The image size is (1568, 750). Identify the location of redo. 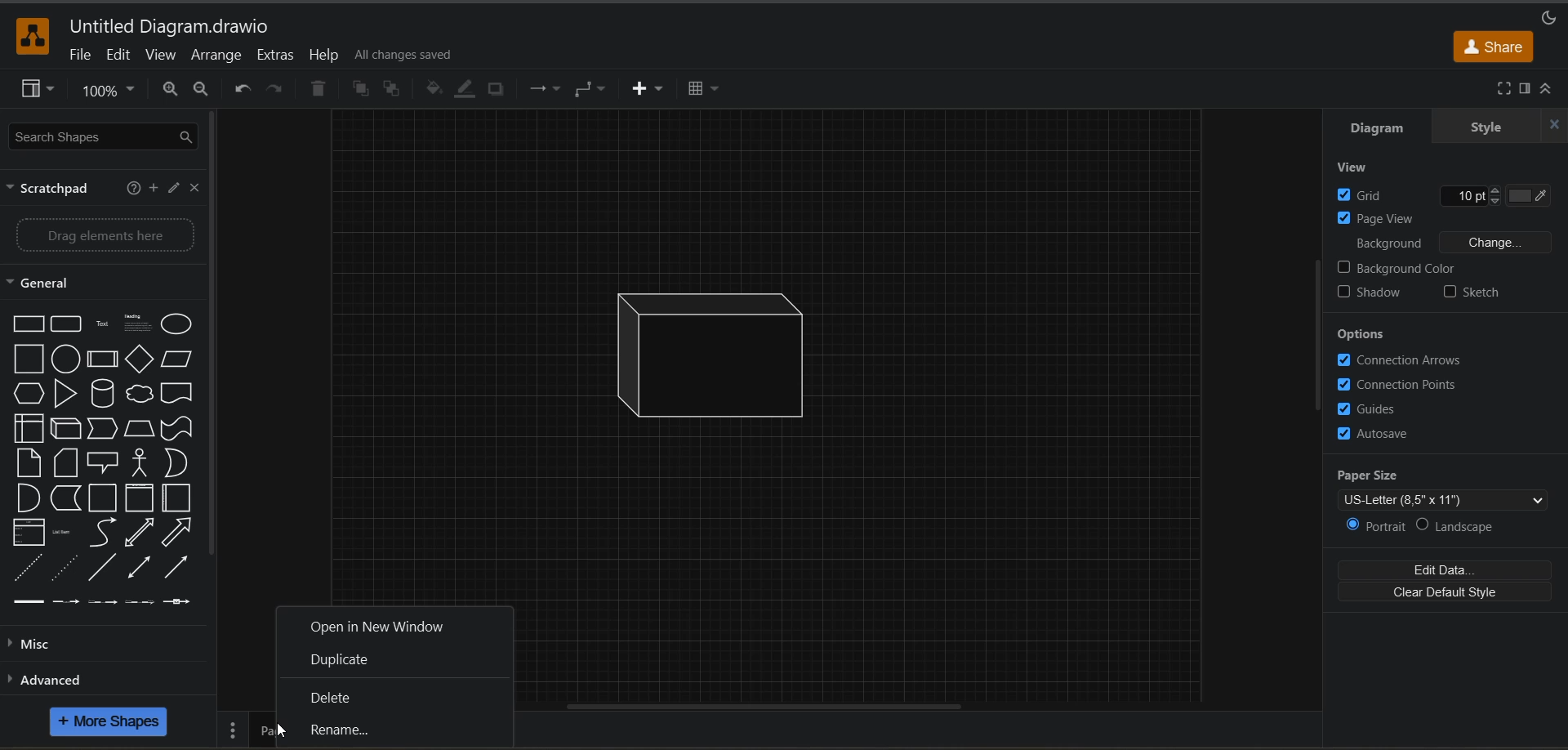
(275, 90).